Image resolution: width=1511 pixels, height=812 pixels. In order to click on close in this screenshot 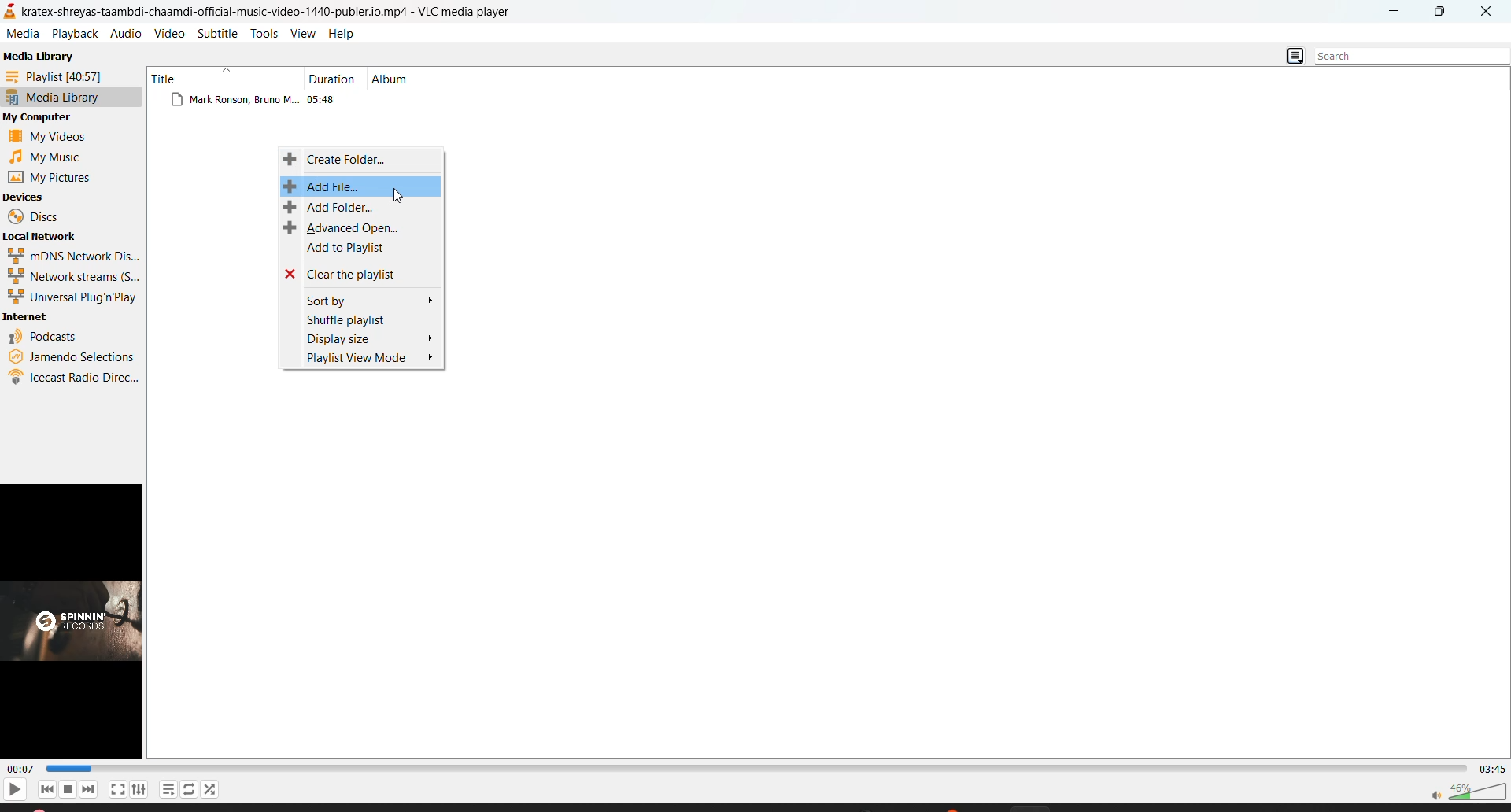, I will do `click(1483, 13)`.